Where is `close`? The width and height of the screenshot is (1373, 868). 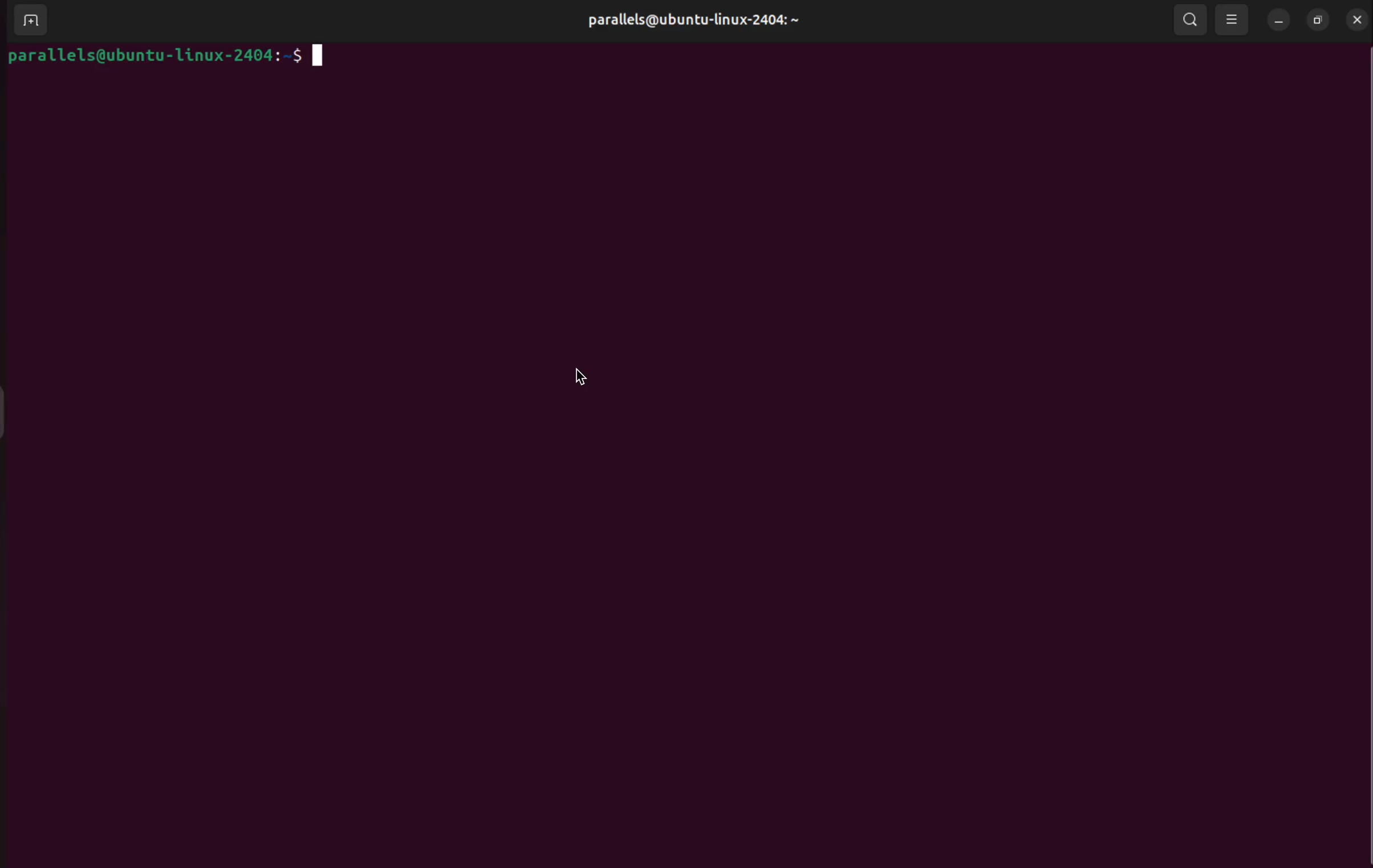
close is located at coordinates (1357, 19).